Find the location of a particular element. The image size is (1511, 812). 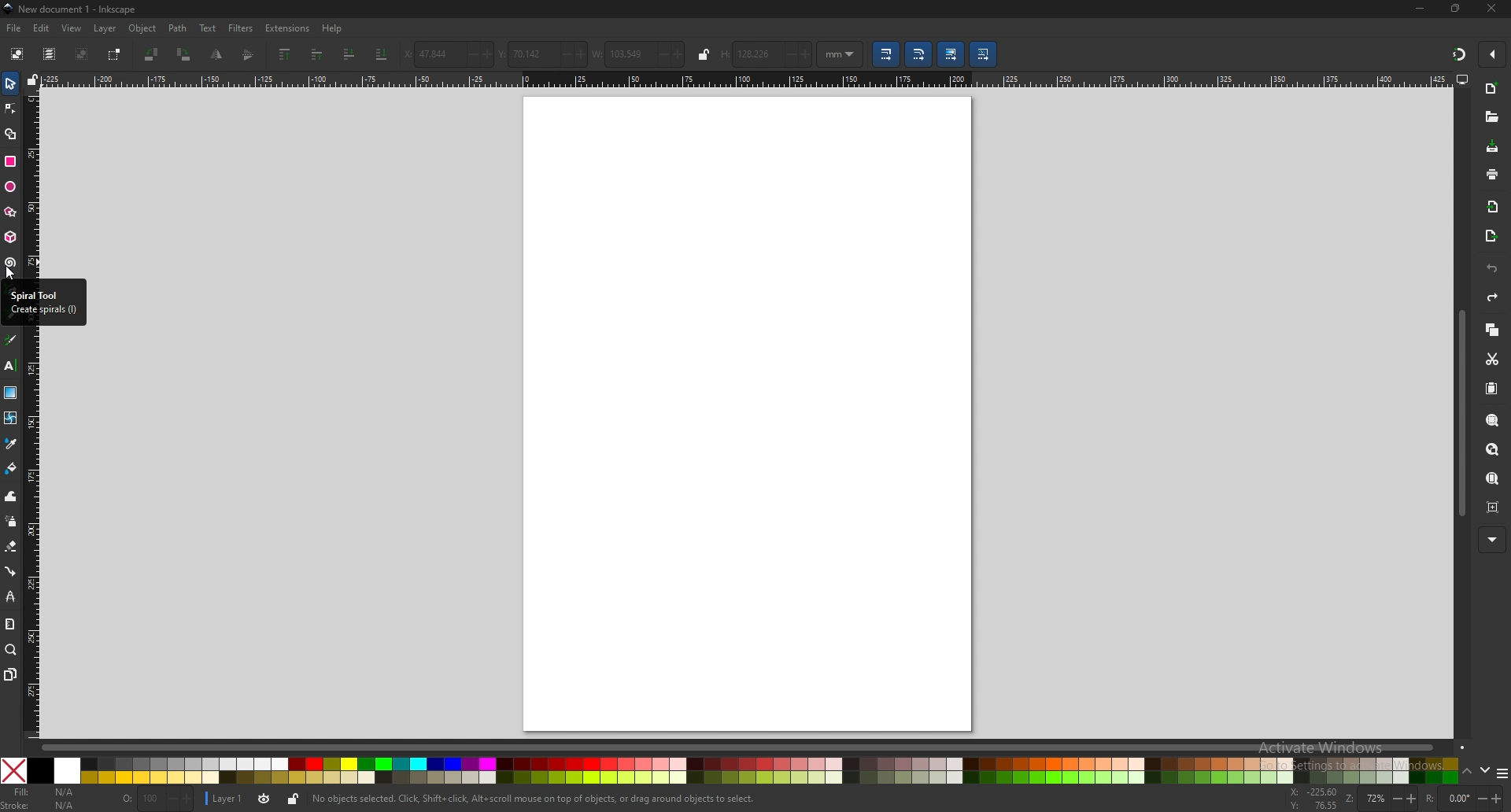

flip horizontal is located at coordinates (217, 56).